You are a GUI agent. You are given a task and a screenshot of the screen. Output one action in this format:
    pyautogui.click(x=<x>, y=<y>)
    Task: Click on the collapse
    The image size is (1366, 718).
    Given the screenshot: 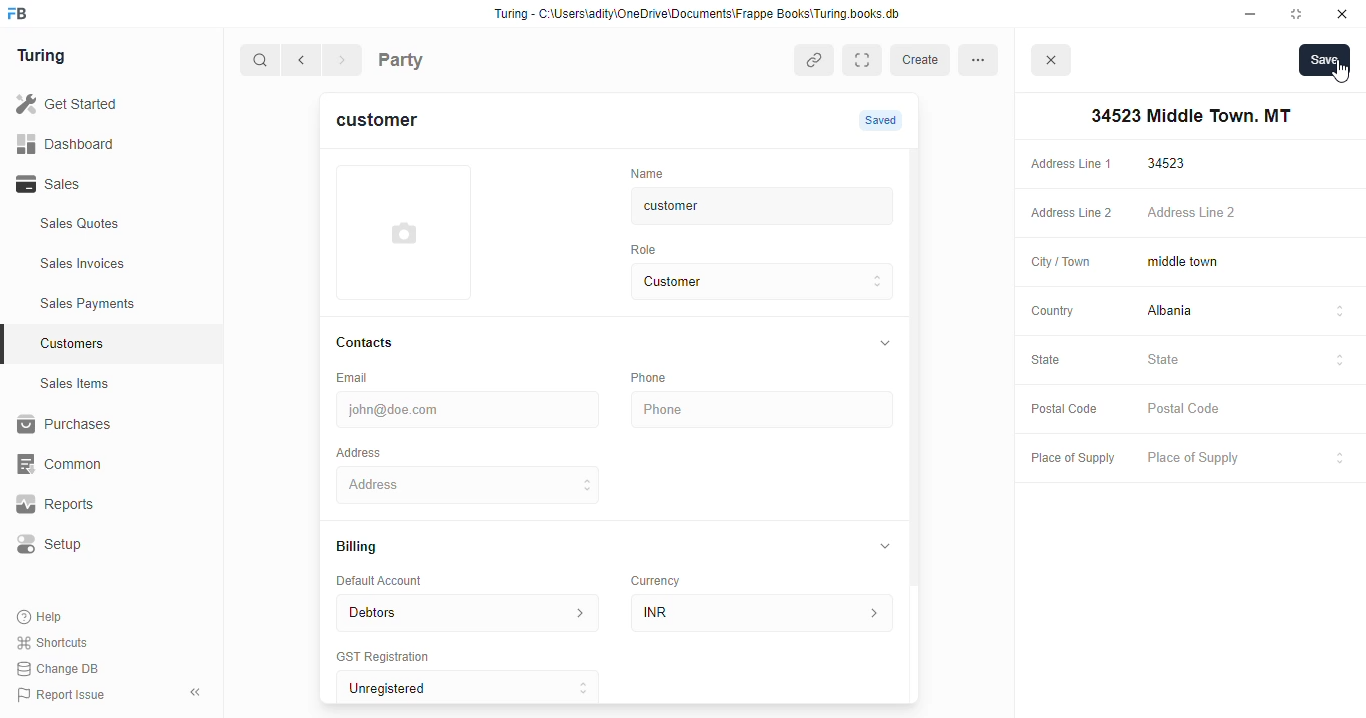 What is the action you would take?
    pyautogui.click(x=883, y=344)
    